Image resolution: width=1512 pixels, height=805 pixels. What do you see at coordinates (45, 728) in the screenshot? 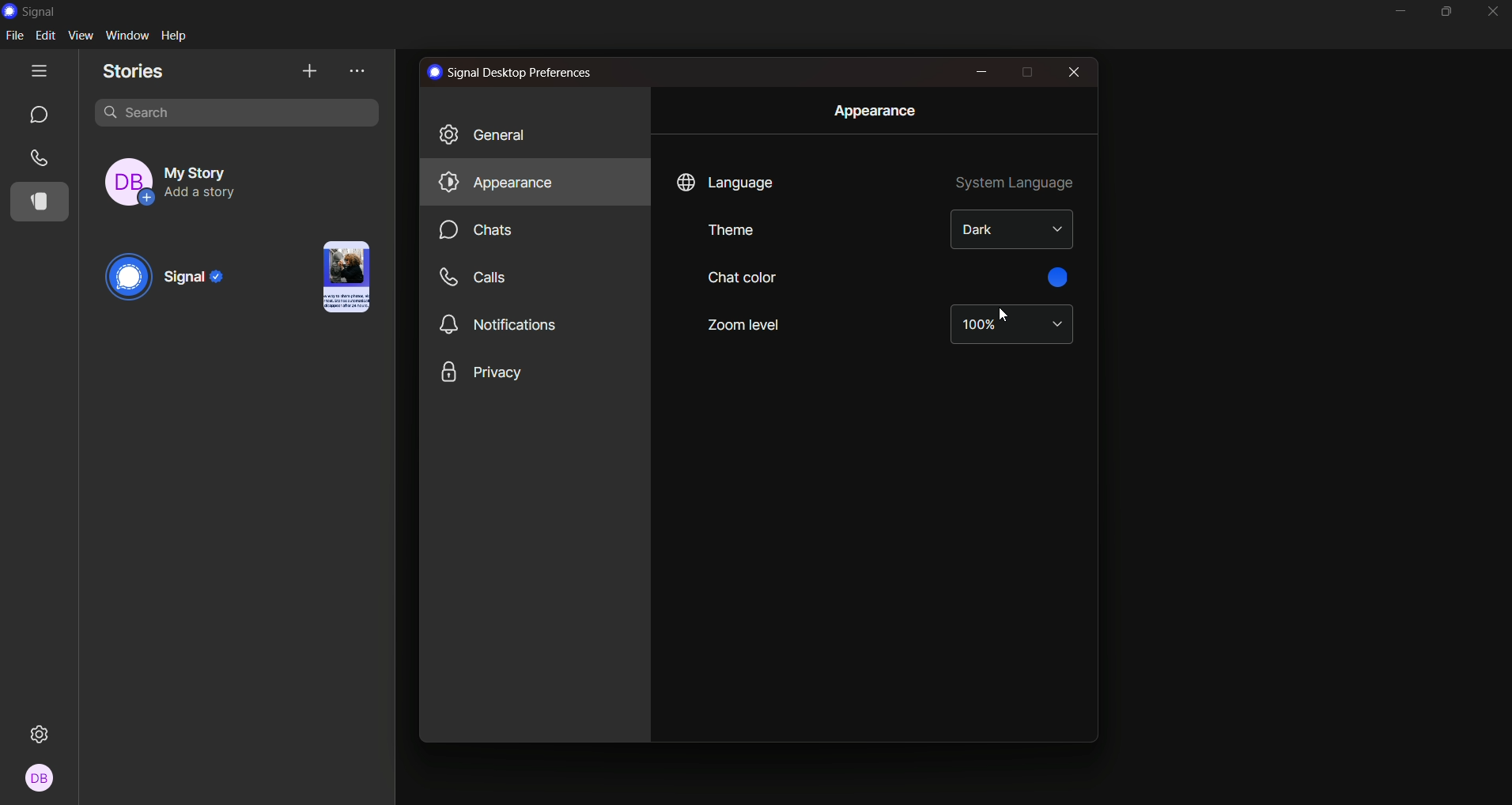
I see `settings` at bounding box center [45, 728].